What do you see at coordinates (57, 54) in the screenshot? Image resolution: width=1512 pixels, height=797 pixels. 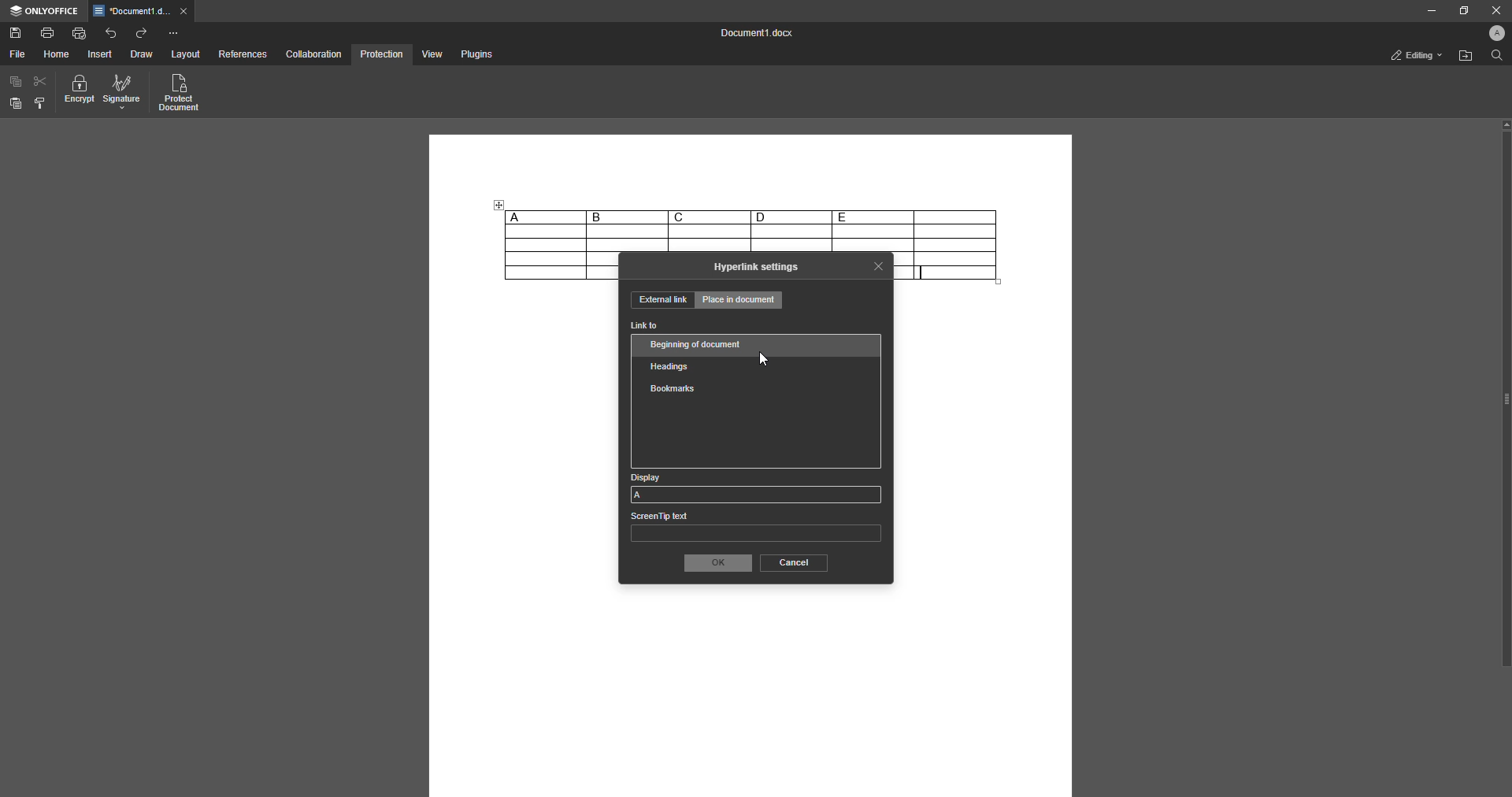 I see `Home` at bounding box center [57, 54].